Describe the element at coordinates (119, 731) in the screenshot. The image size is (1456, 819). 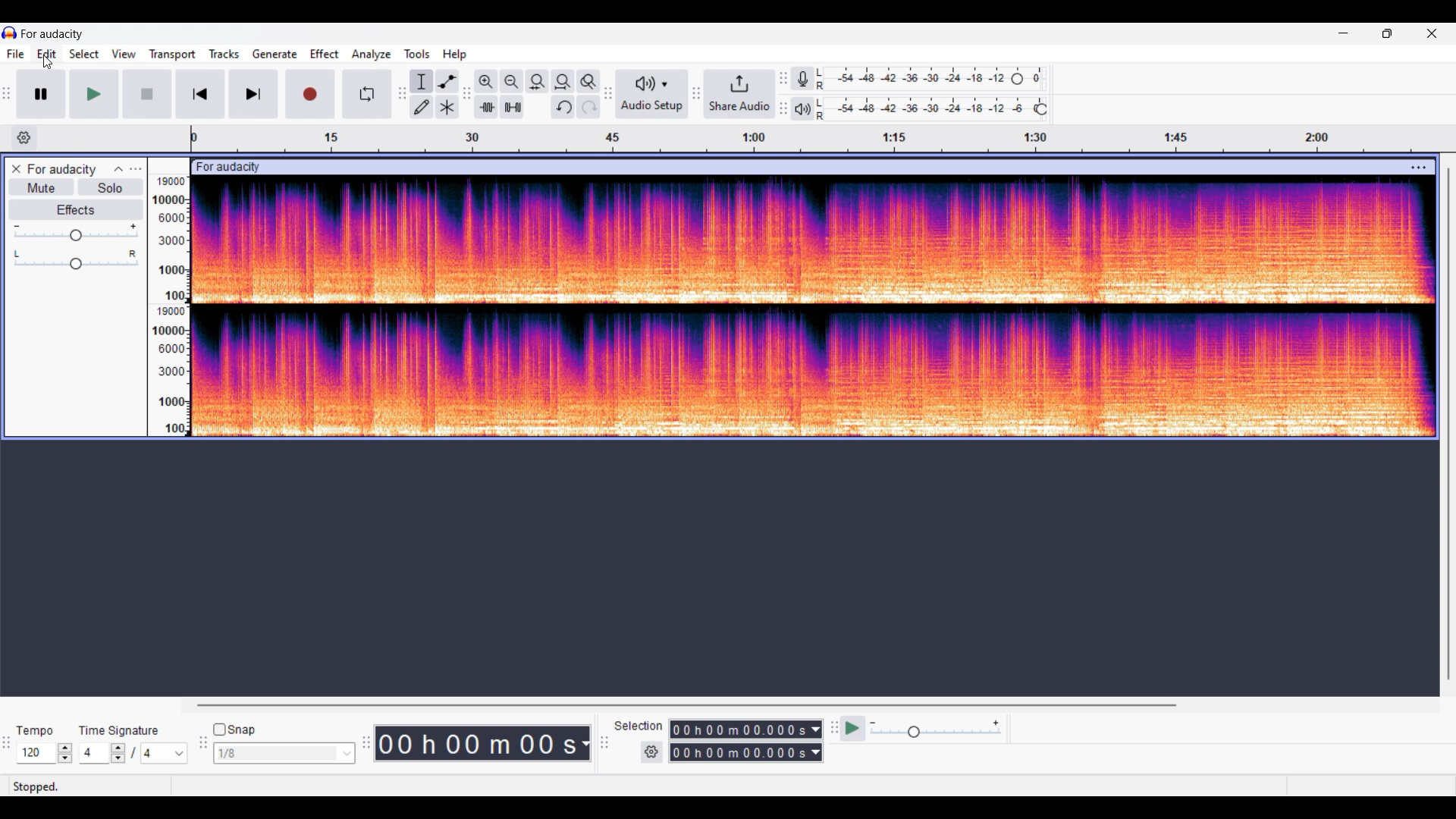
I see `Indicates time signature settings ` at that location.